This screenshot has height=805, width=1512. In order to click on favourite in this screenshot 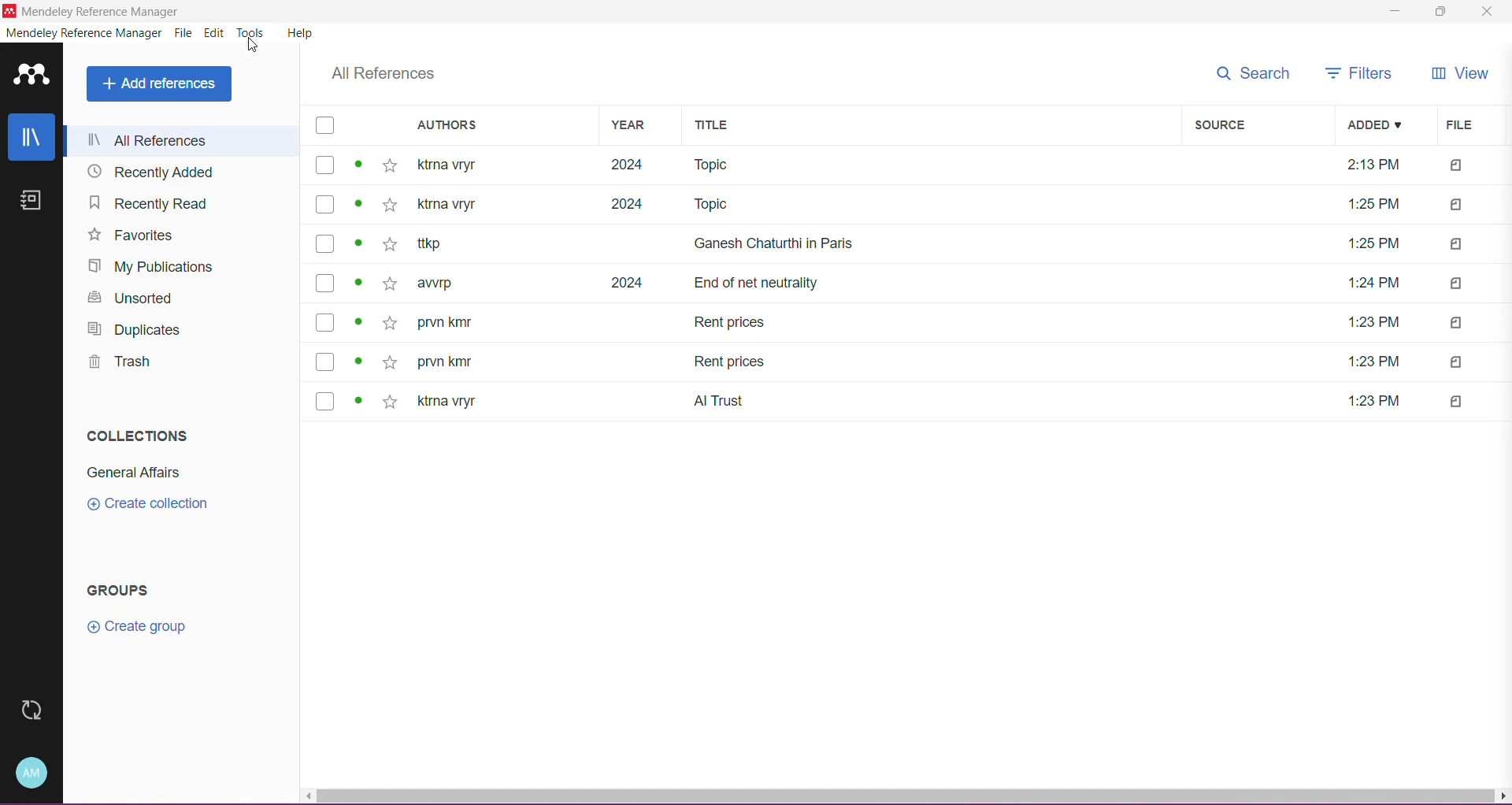, I will do `click(393, 205)`.